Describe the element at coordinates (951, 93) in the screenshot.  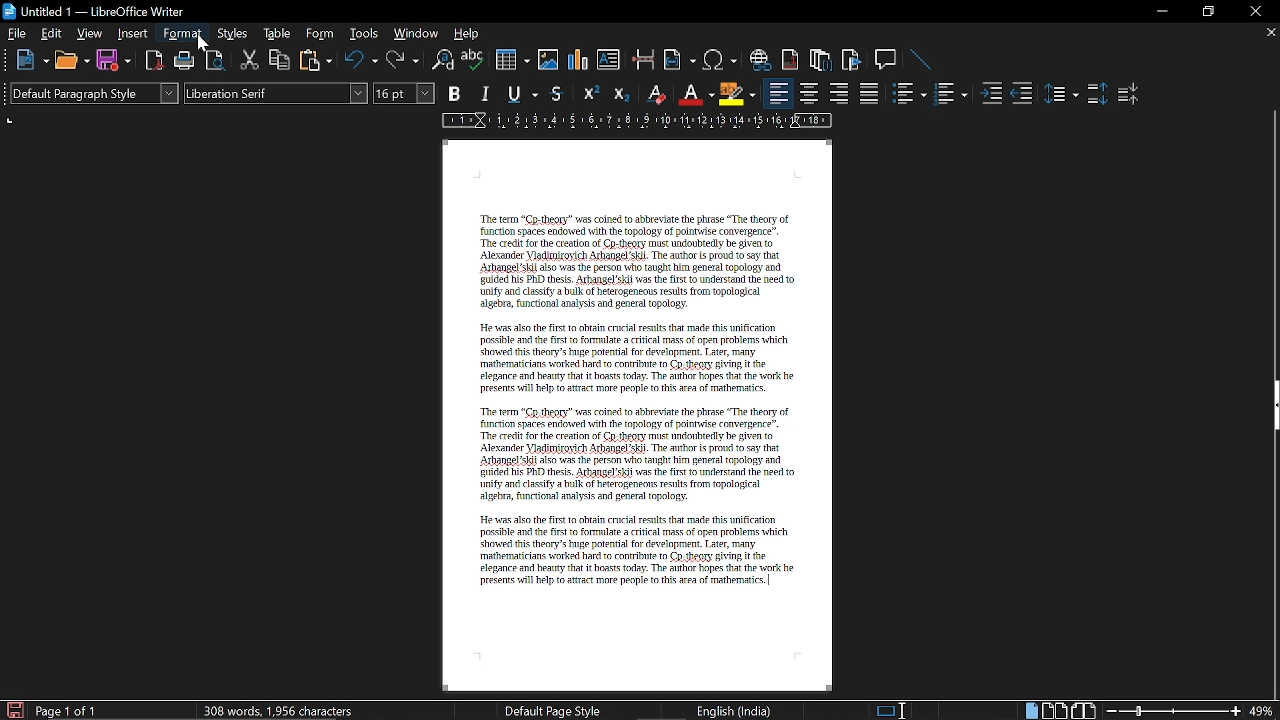
I see `Toggle ordered list` at that location.